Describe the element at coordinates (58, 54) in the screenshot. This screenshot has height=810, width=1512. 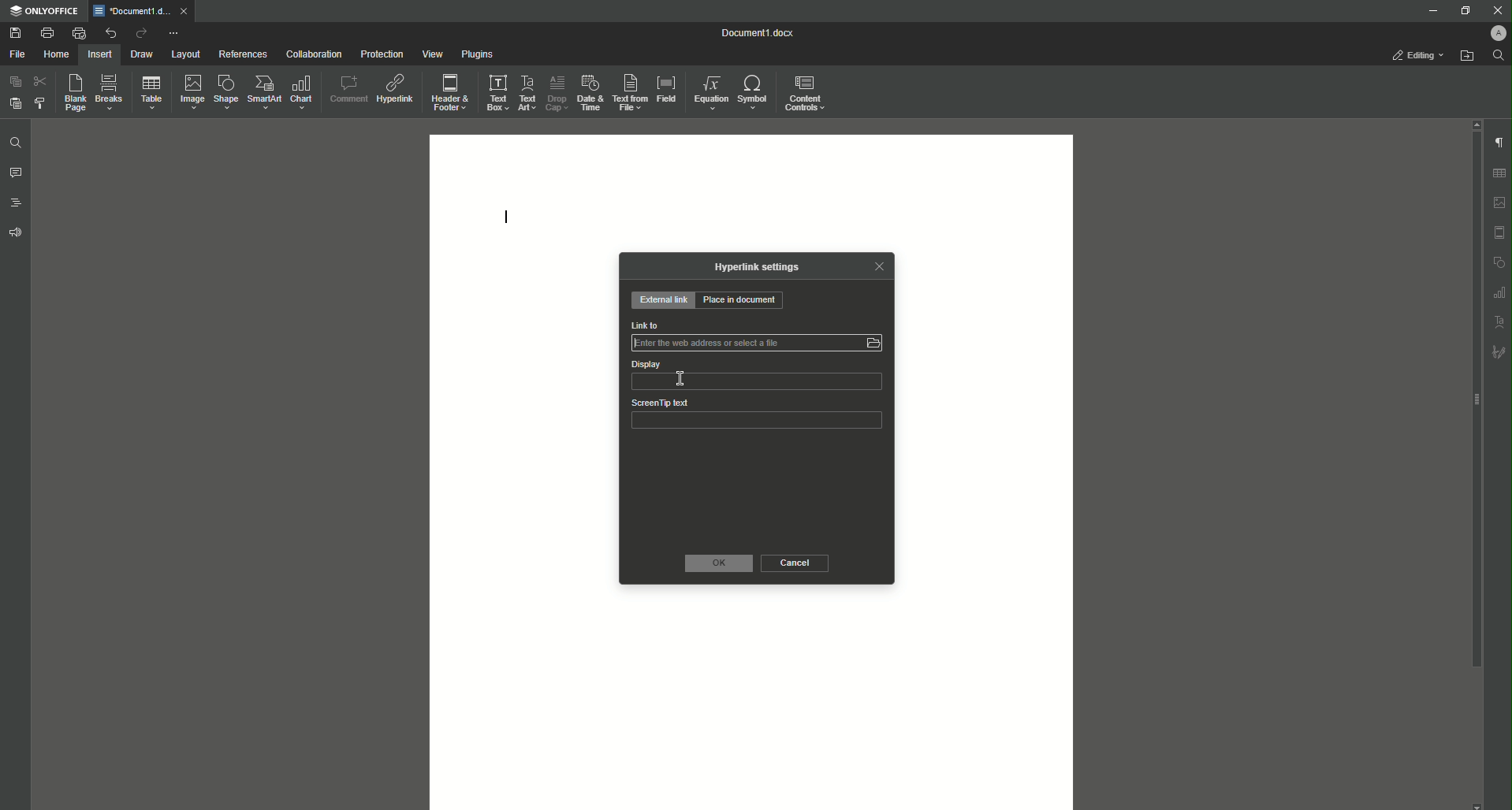
I see `Home` at that location.